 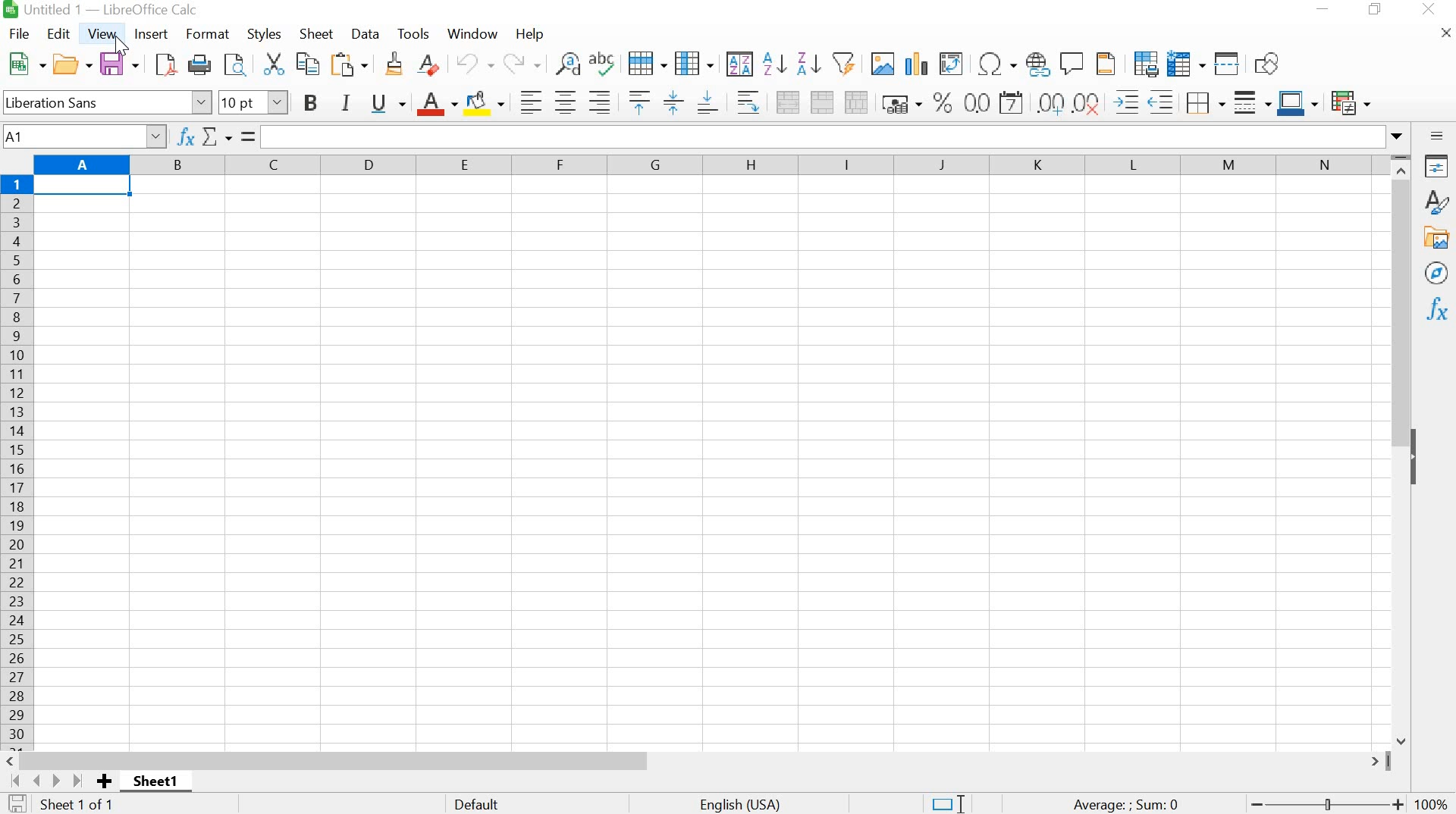 What do you see at coordinates (436, 104) in the screenshot?
I see `FONT COLOR` at bounding box center [436, 104].